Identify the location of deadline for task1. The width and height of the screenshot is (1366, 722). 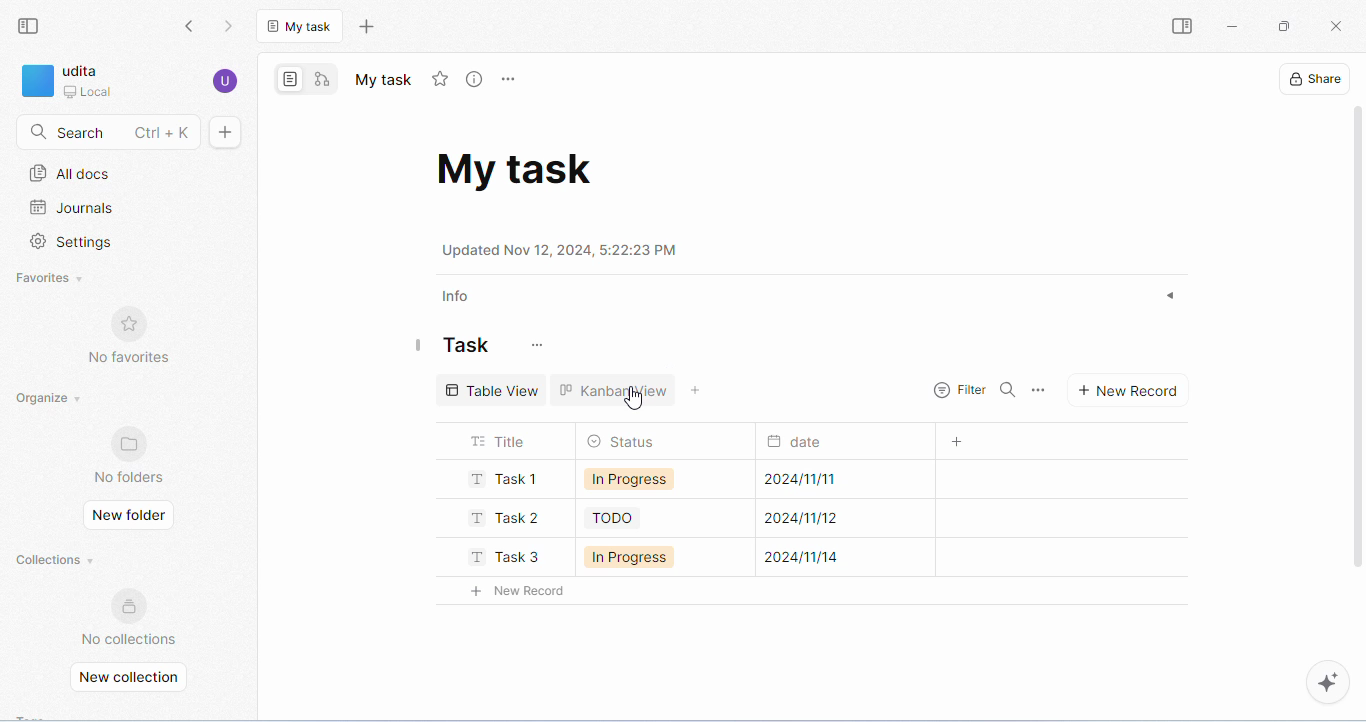
(803, 481).